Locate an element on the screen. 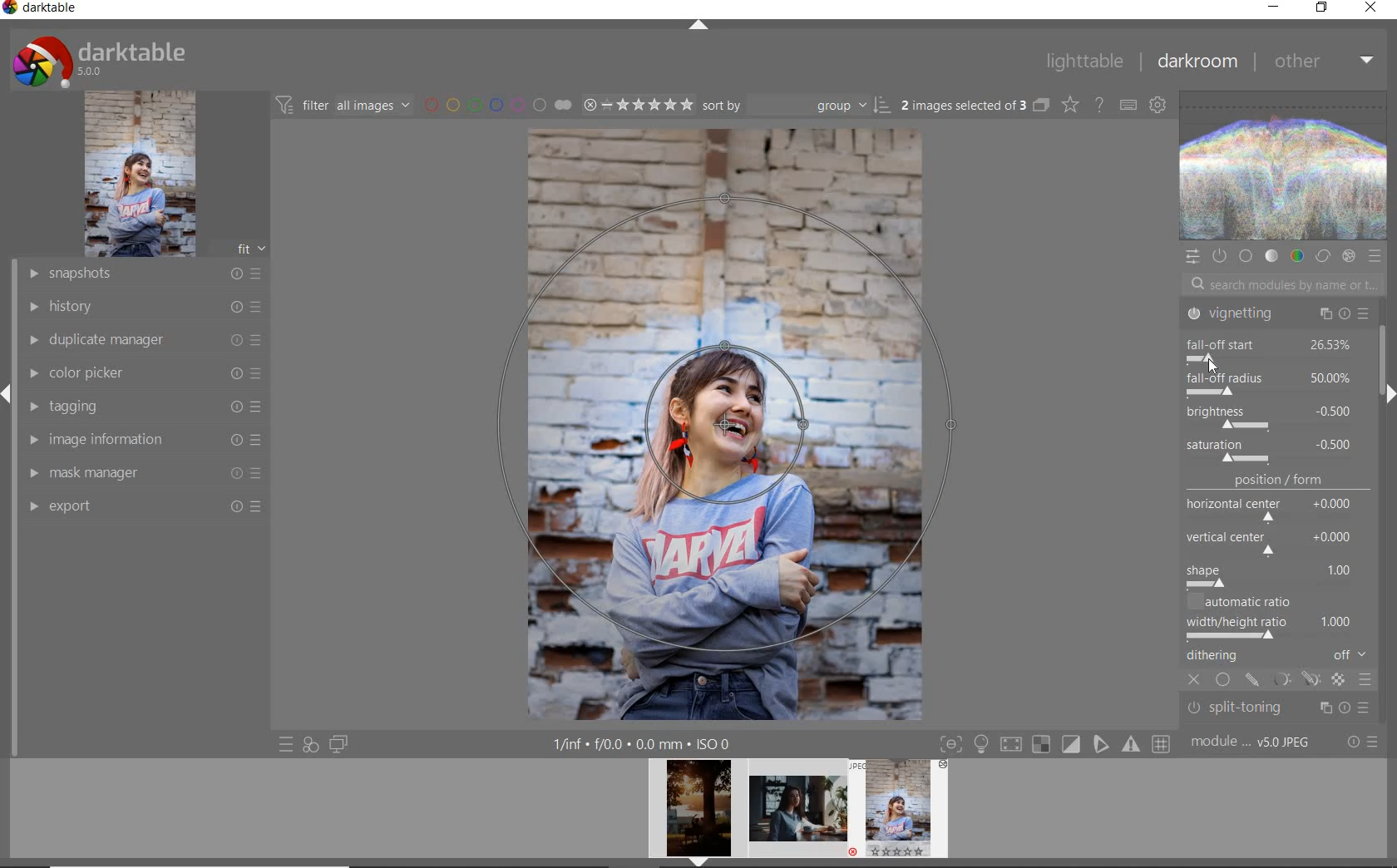 The width and height of the screenshot is (1397, 868). masking options is located at coordinates (1295, 682).